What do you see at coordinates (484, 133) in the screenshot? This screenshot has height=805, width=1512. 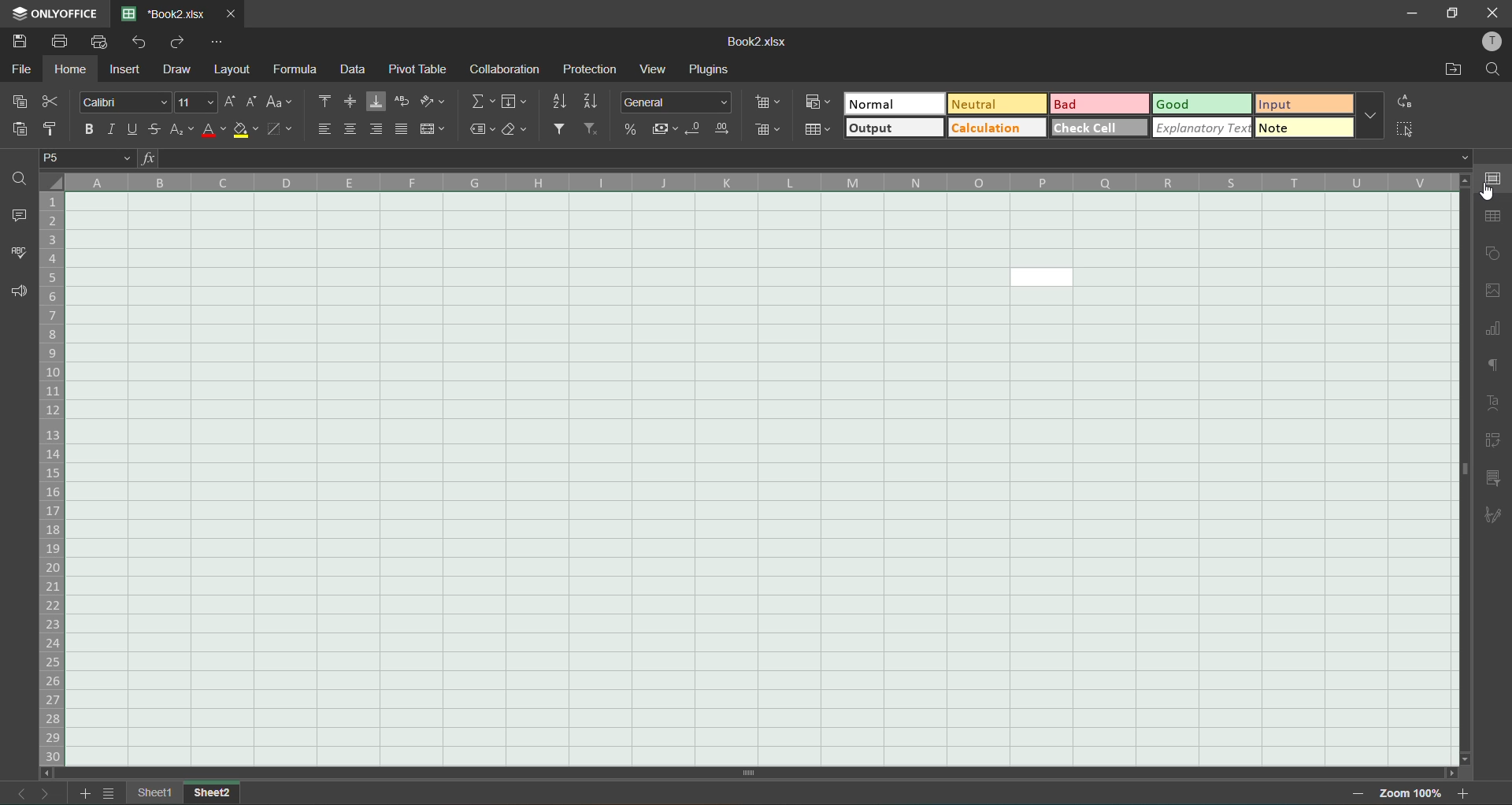 I see `named ranges` at bounding box center [484, 133].